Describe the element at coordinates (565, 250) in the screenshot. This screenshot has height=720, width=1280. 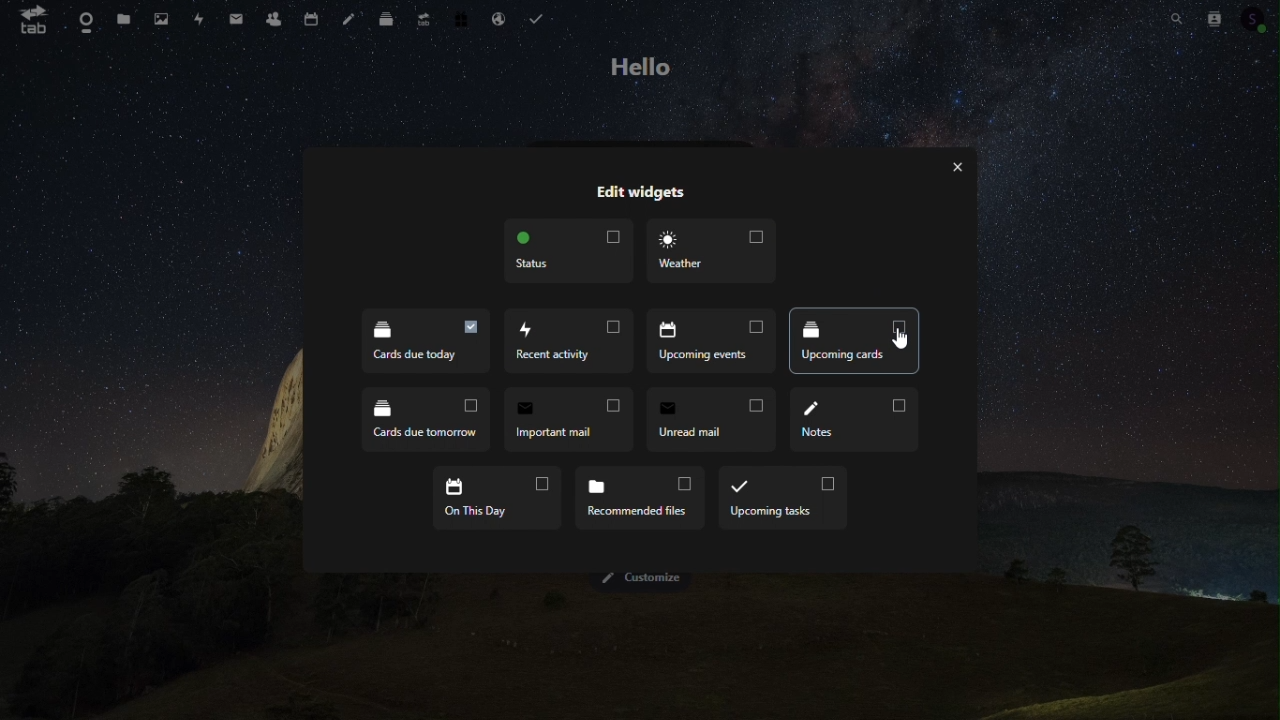
I see `Status` at that location.